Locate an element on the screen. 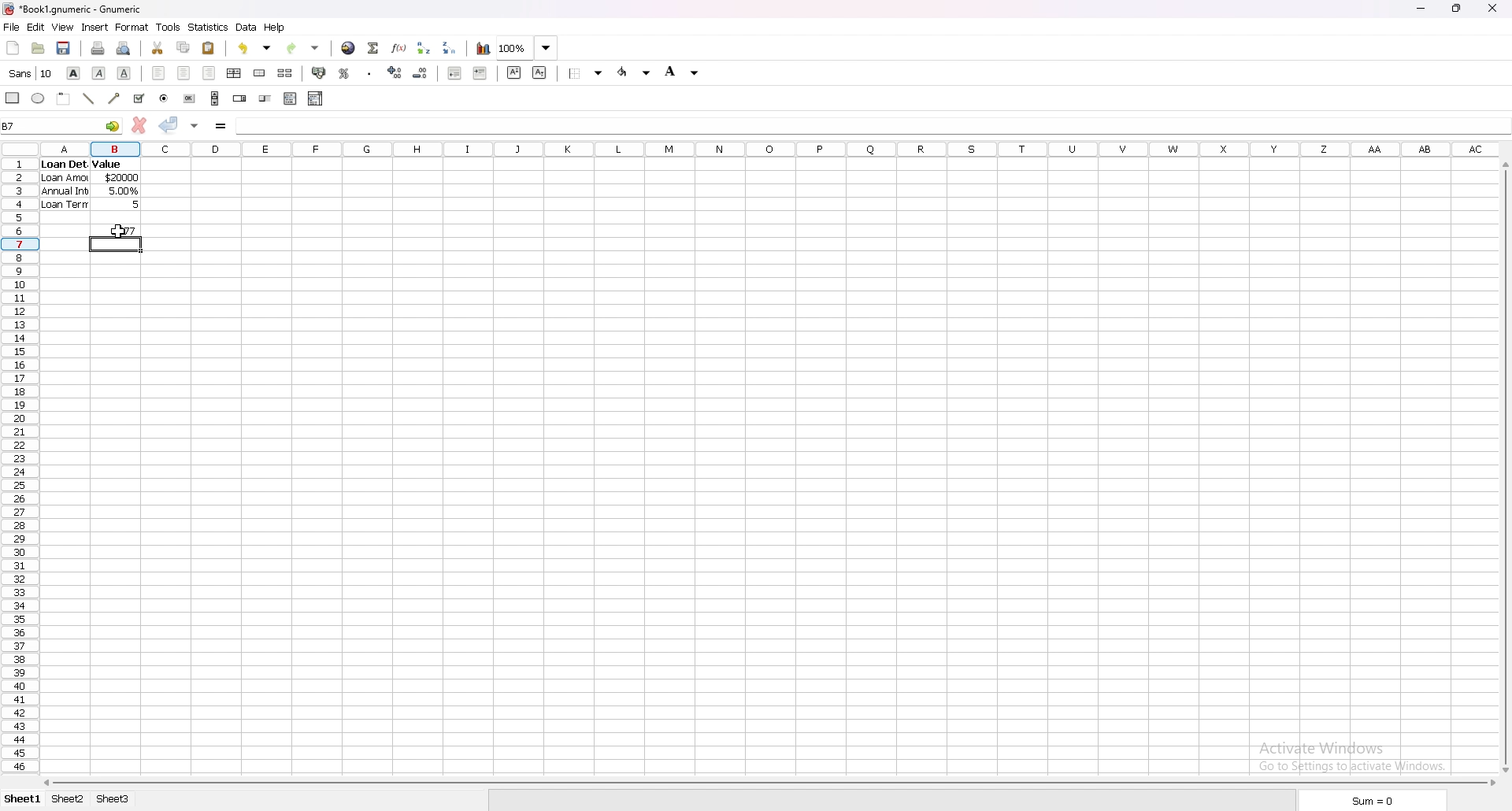 Image resolution: width=1512 pixels, height=811 pixels. font is located at coordinates (31, 72).